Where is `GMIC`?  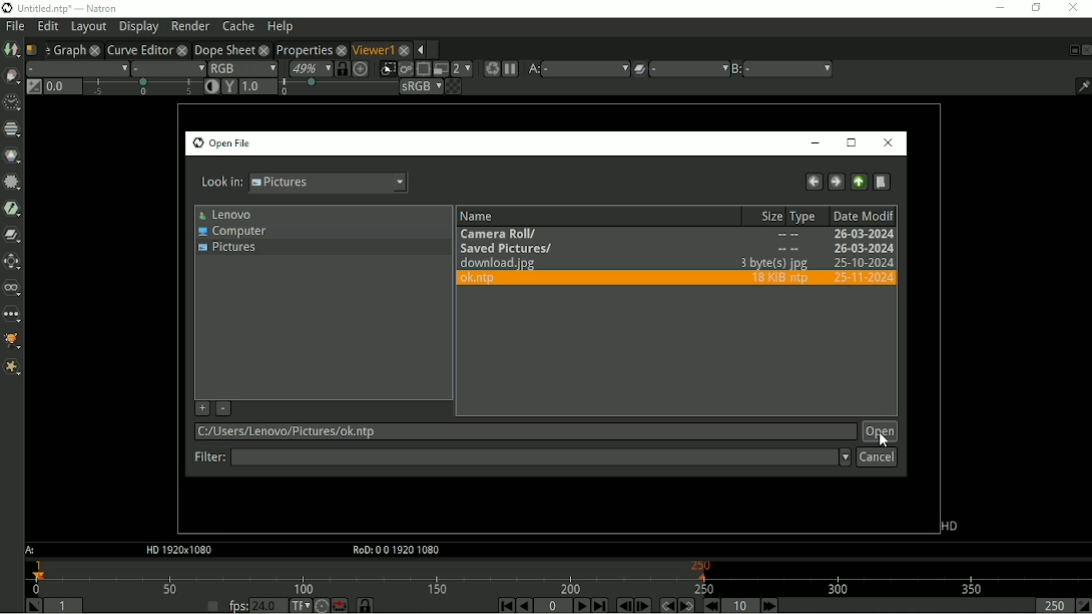
GMIC is located at coordinates (13, 342).